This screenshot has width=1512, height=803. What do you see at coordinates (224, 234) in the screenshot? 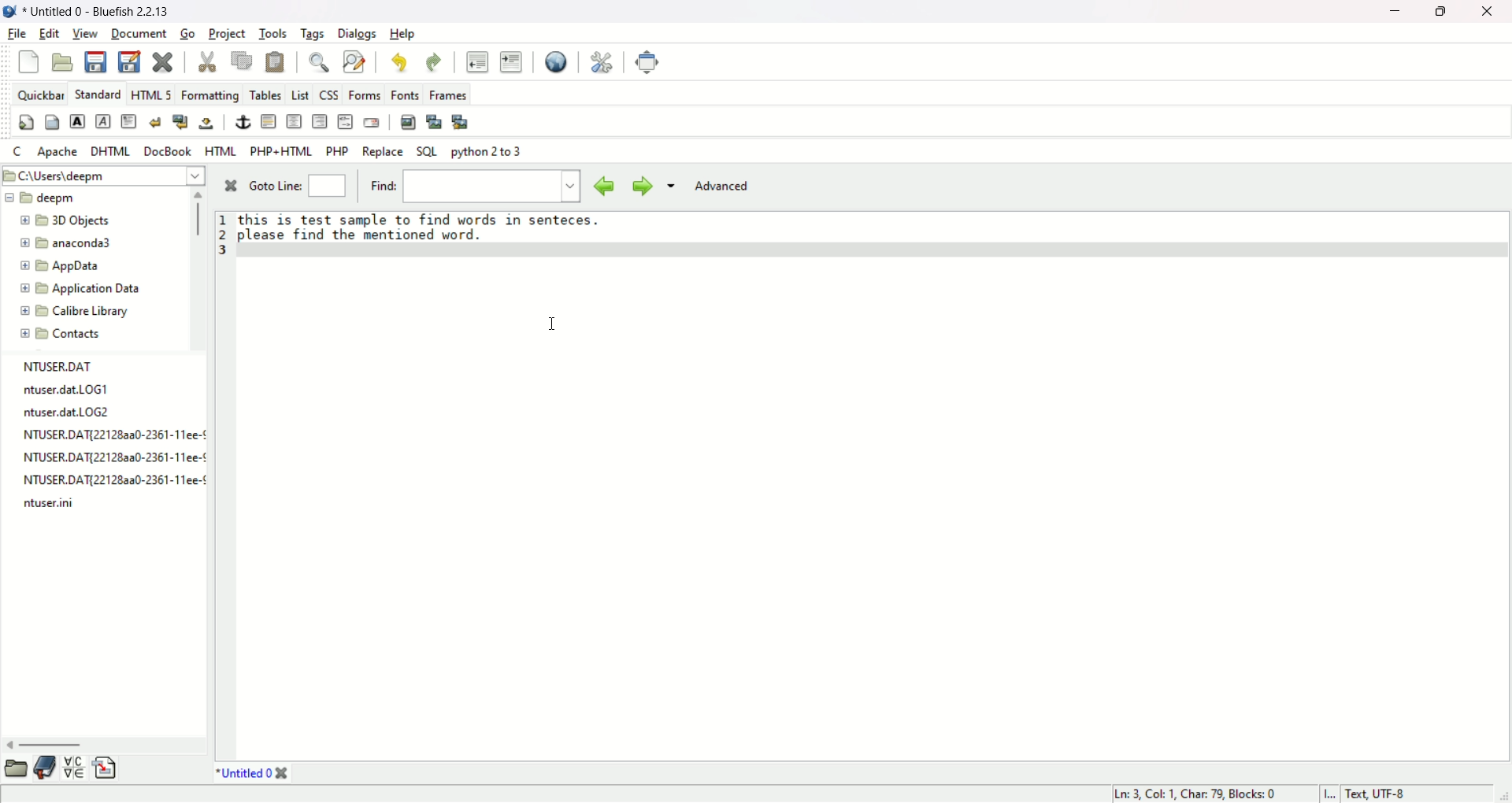
I see `line number` at bounding box center [224, 234].